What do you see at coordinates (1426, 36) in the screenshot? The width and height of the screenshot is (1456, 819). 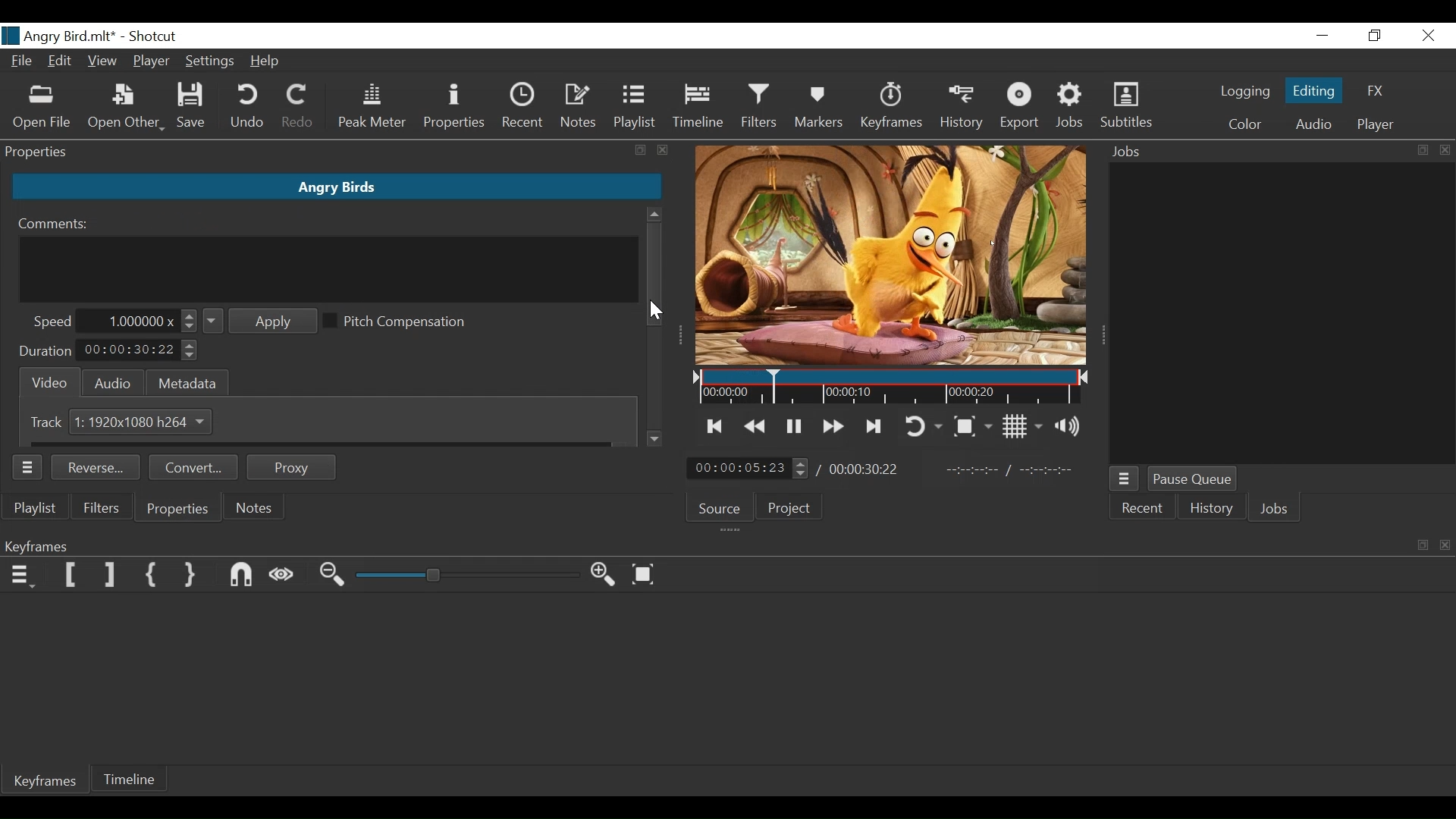 I see `Close` at bounding box center [1426, 36].